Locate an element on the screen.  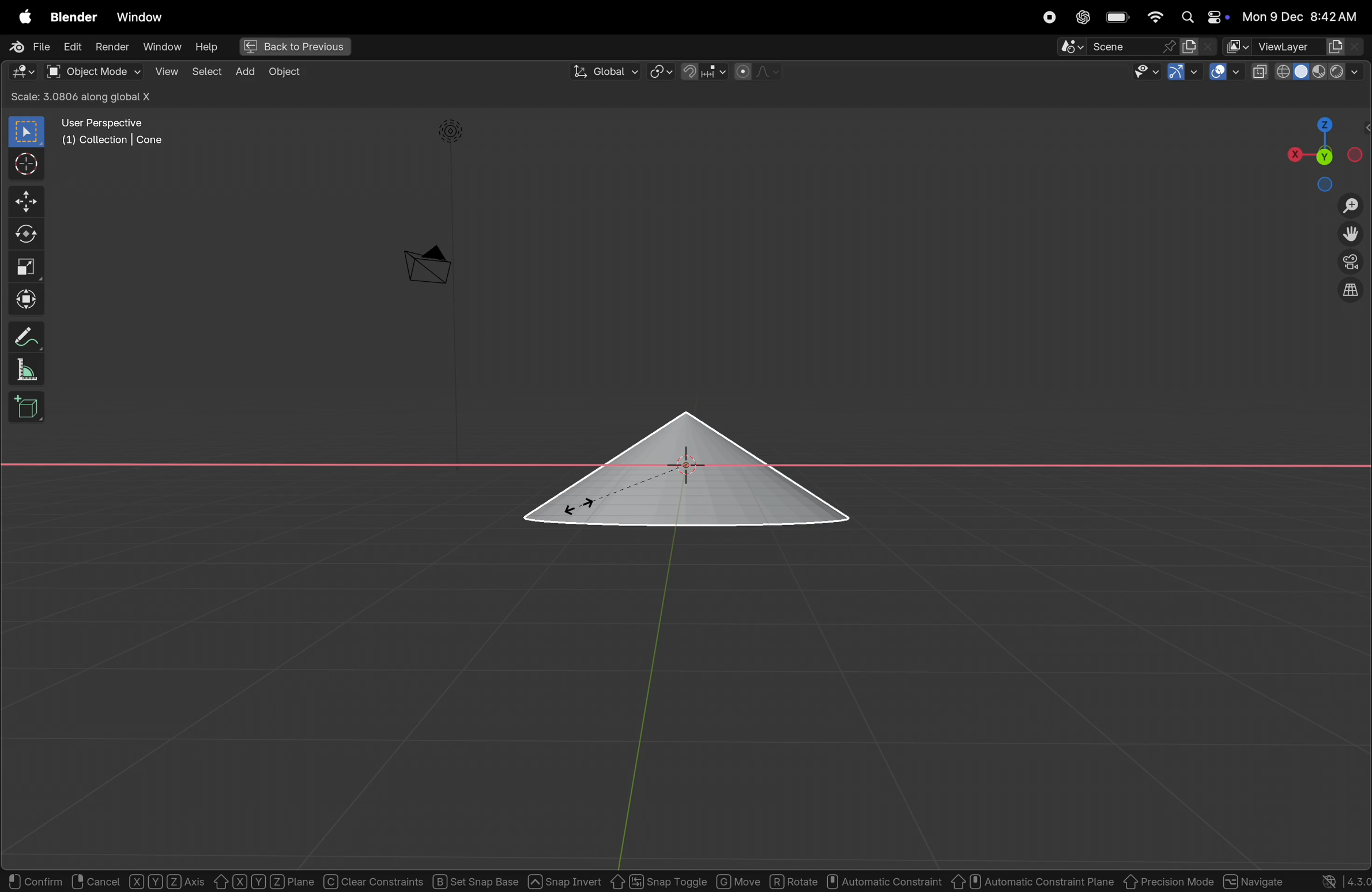
global is located at coordinates (605, 71).